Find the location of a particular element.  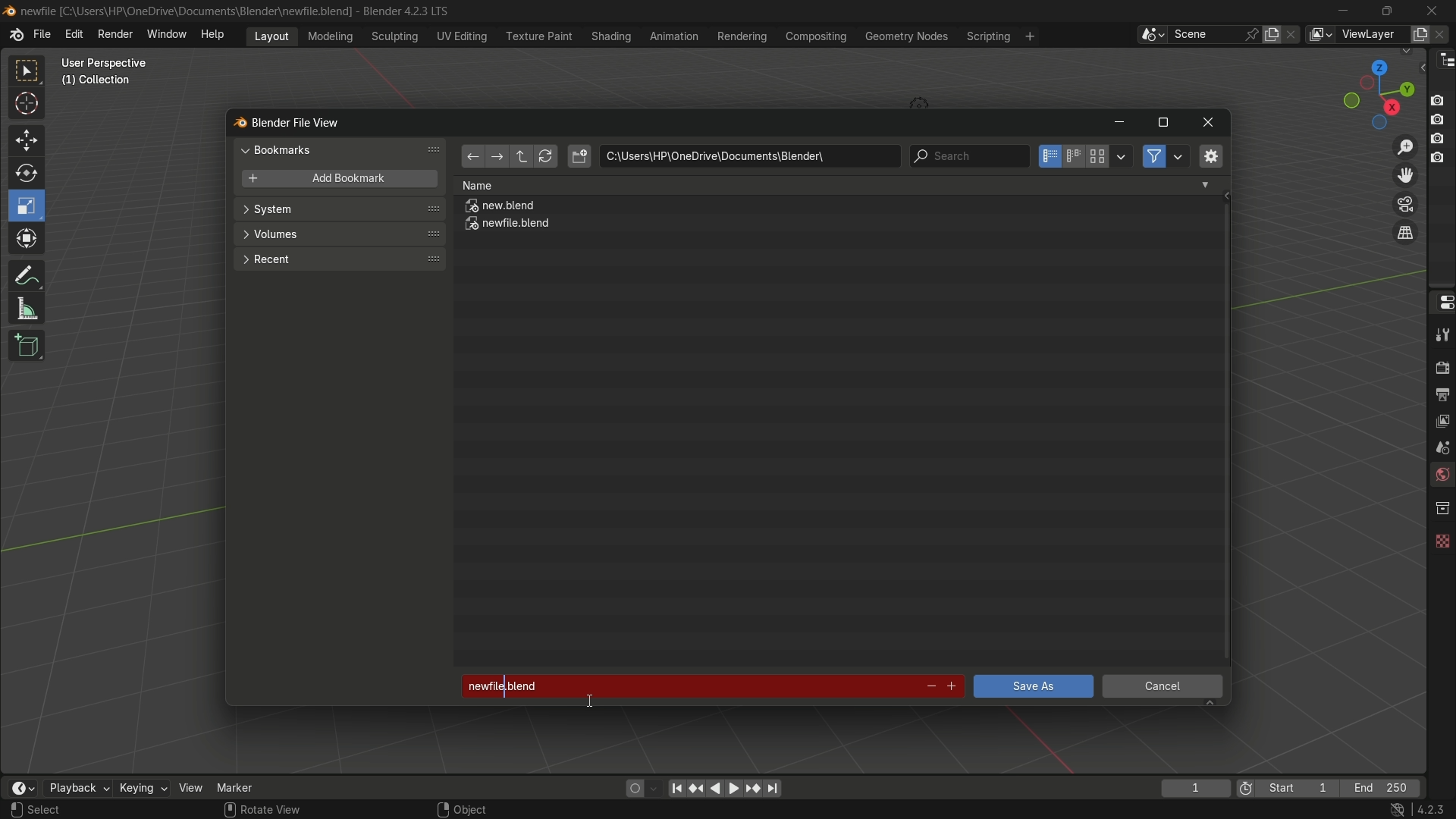

filter settings is located at coordinates (1179, 156).